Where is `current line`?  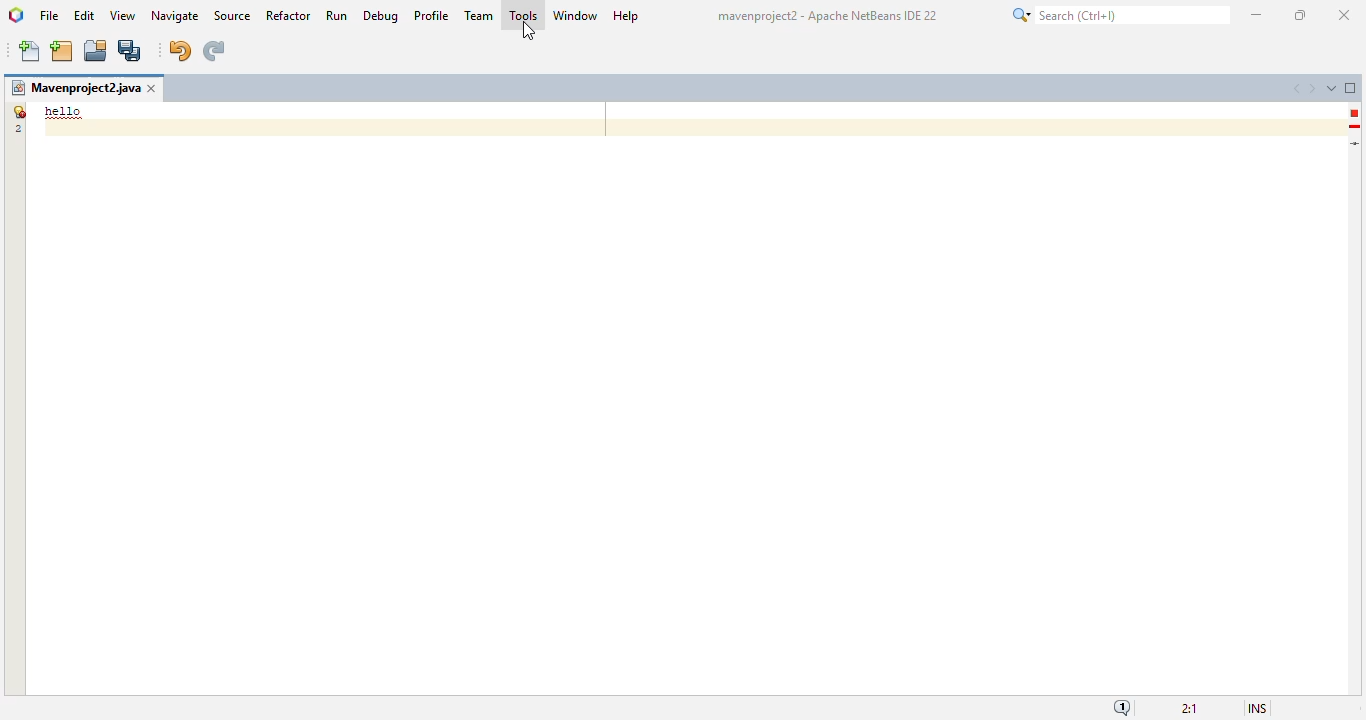
current line is located at coordinates (1356, 143).